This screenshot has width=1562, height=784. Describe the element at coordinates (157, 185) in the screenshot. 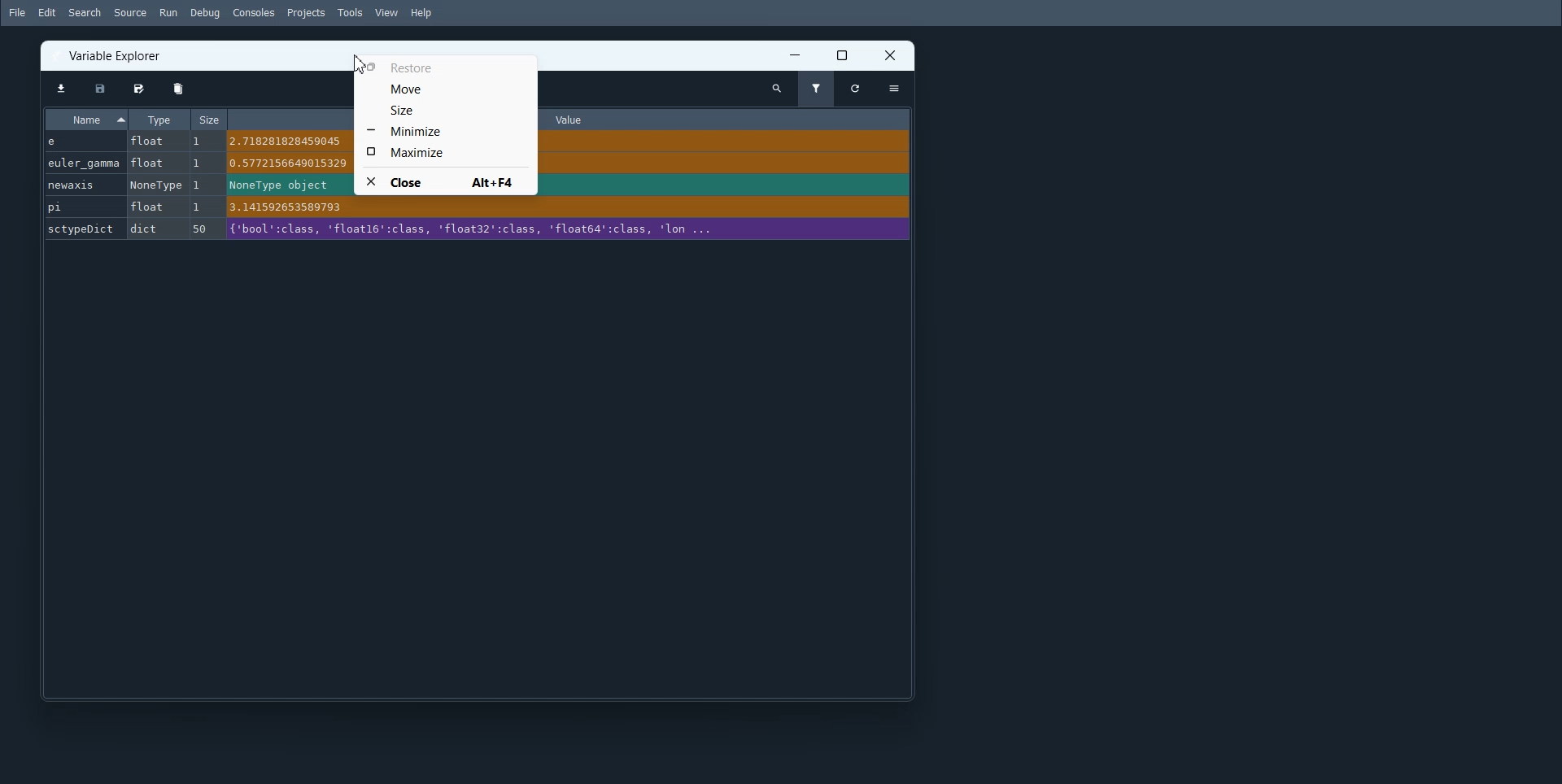

I see `Nonetype` at that location.